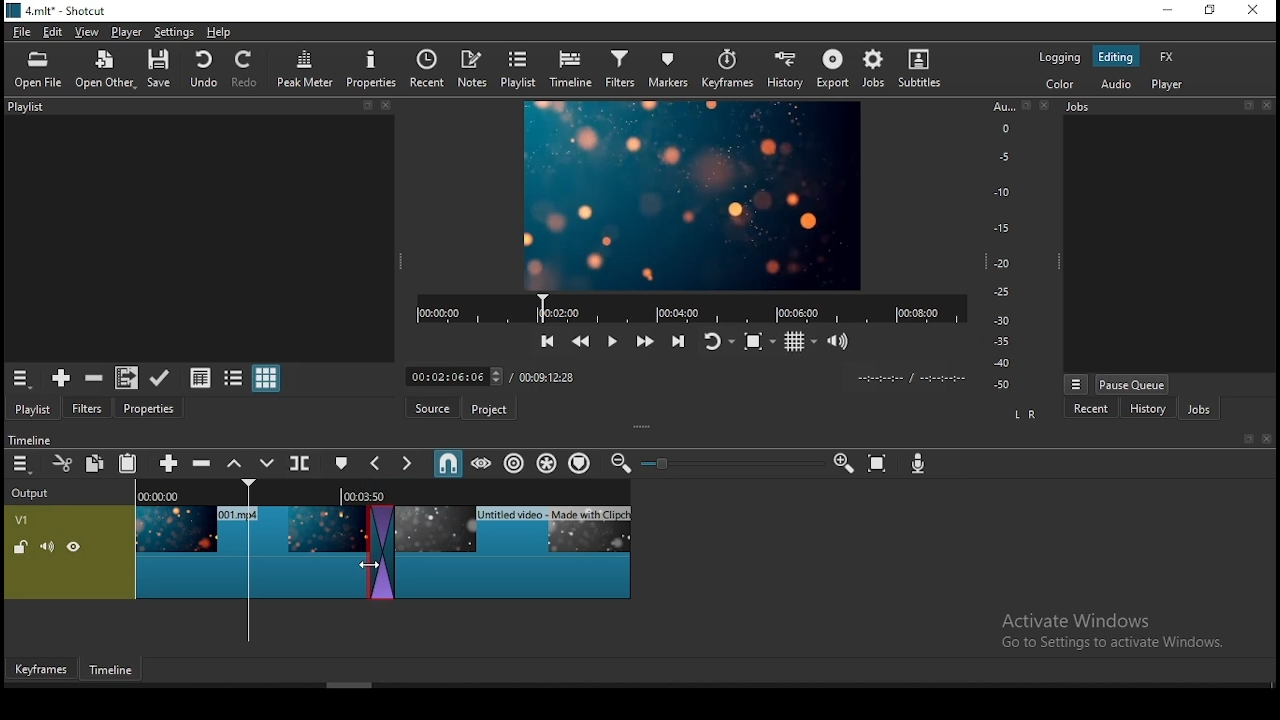 This screenshot has height=720, width=1280. What do you see at coordinates (517, 550) in the screenshot?
I see `video clip` at bounding box center [517, 550].